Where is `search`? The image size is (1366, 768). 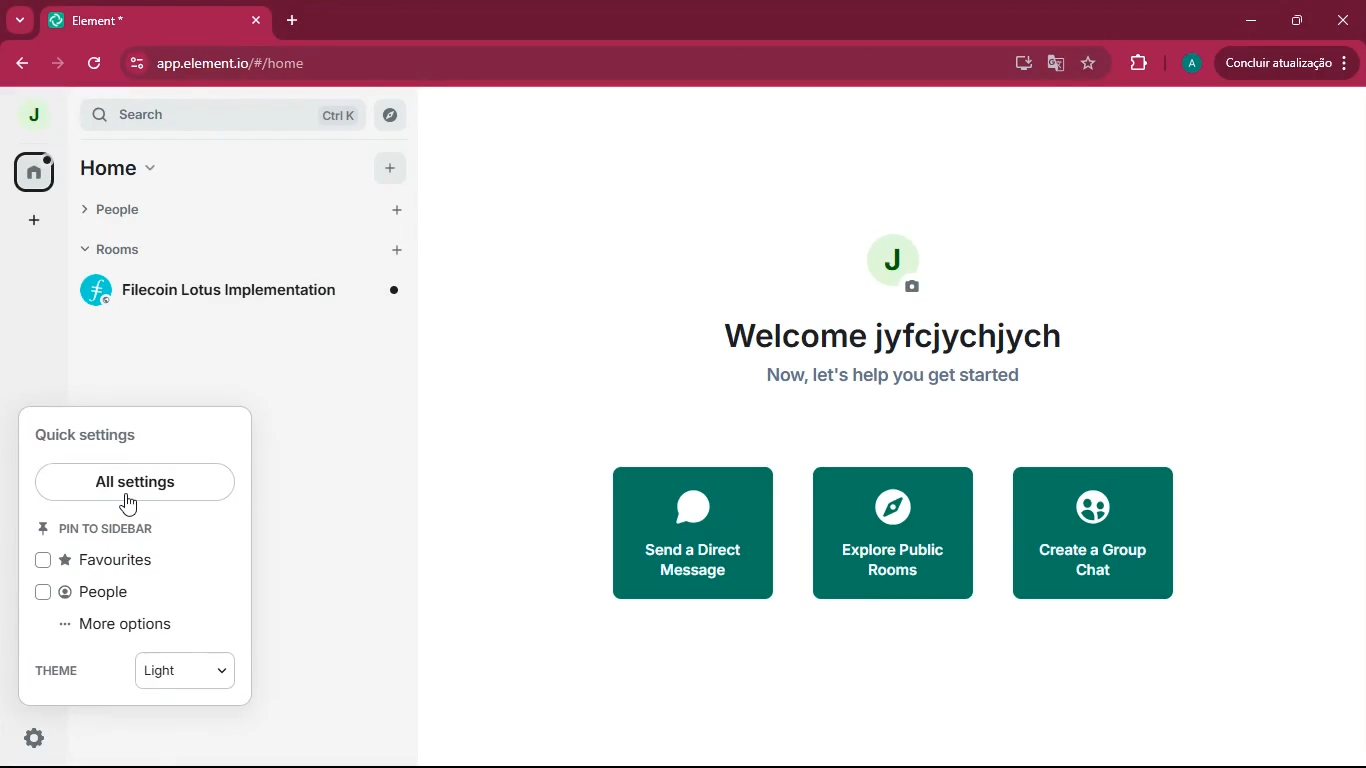 search is located at coordinates (231, 116).